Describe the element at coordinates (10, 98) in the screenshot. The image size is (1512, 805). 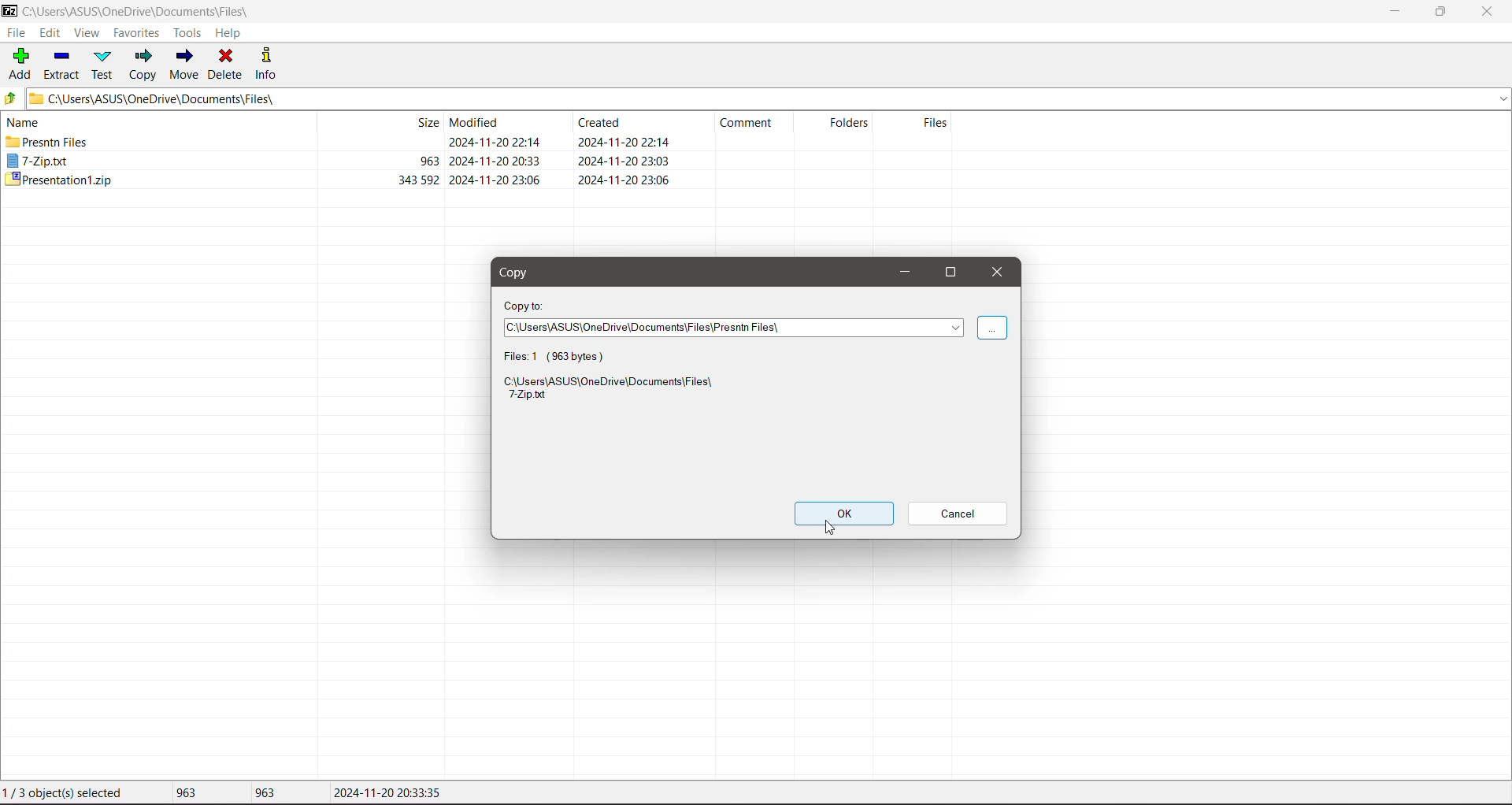
I see `Move Up one level` at that location.